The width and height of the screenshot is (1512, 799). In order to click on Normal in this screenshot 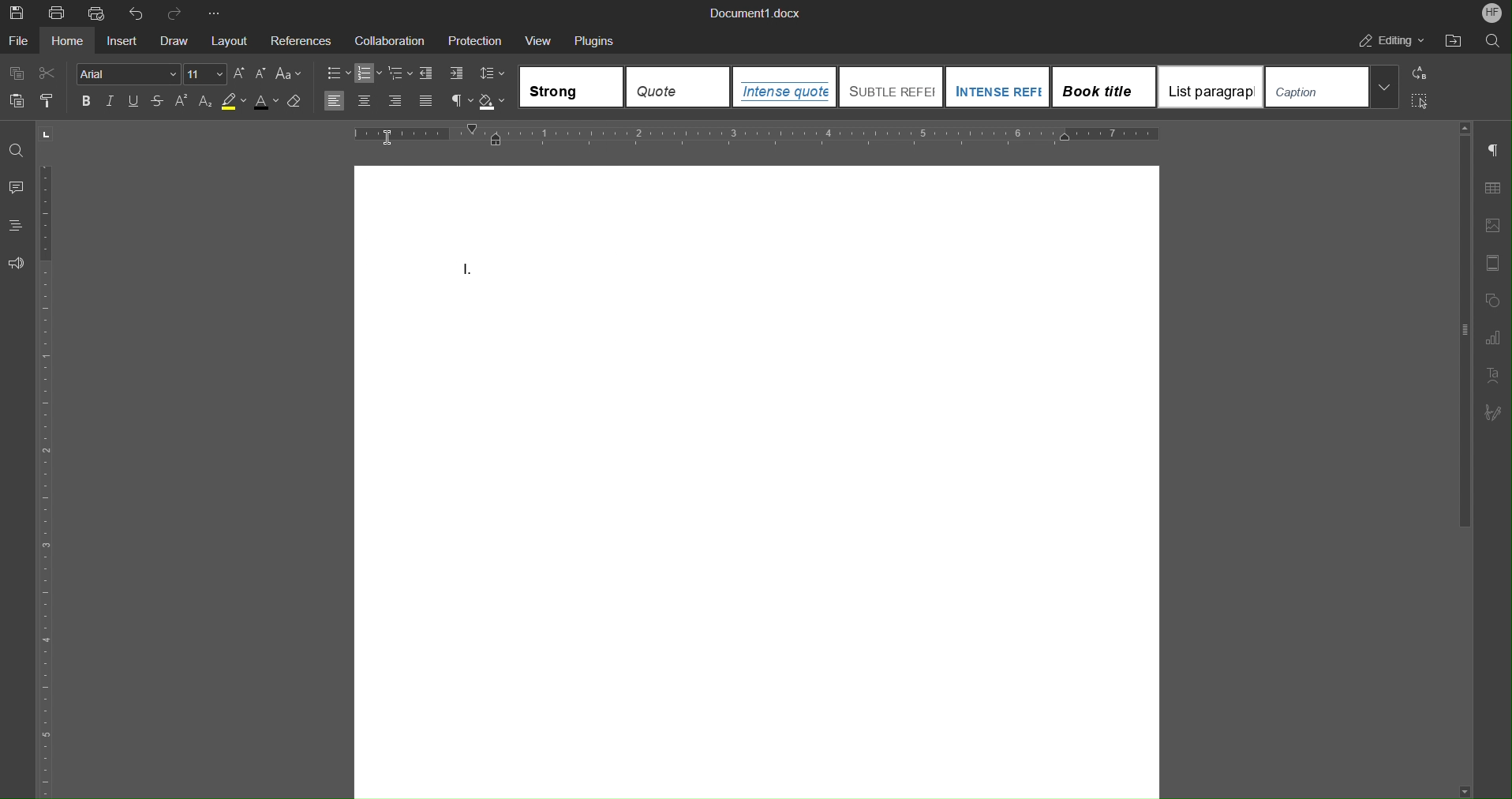, I will do `click(571, 87)`.